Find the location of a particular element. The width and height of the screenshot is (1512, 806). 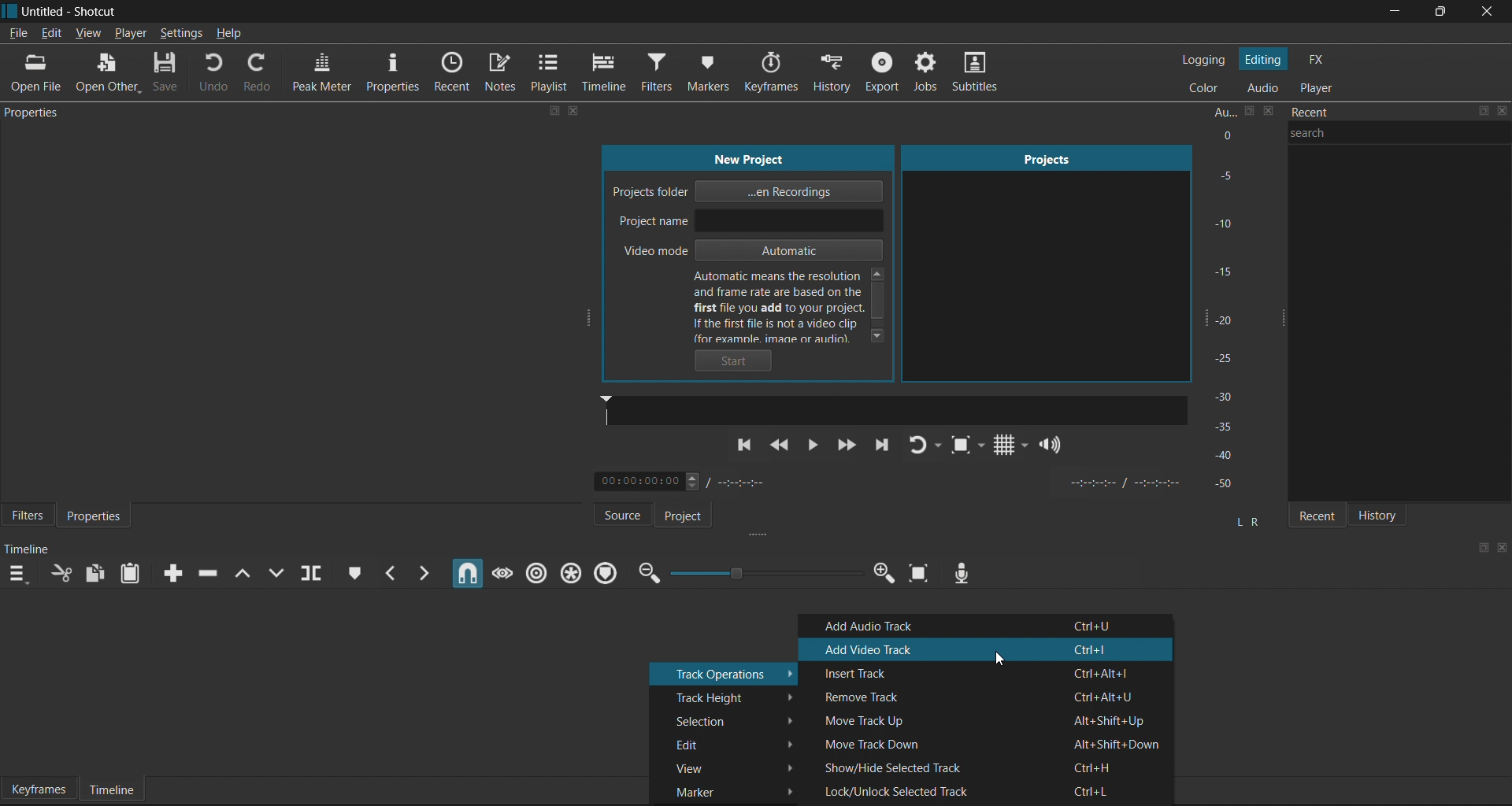

help text is located at coordinates (794, 305).